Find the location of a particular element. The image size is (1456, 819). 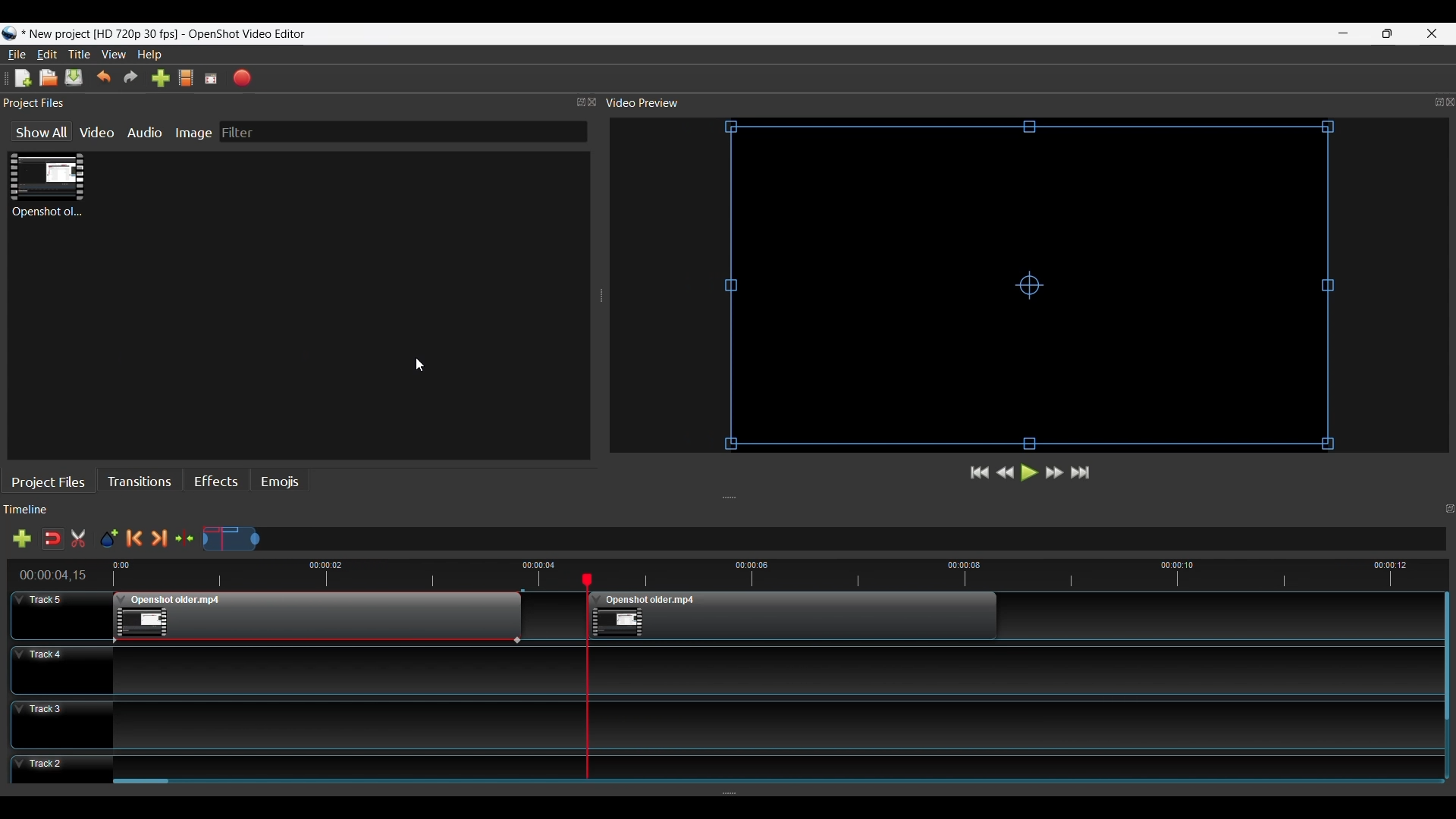

Project Files Panel is located at coordinates (300, 103).